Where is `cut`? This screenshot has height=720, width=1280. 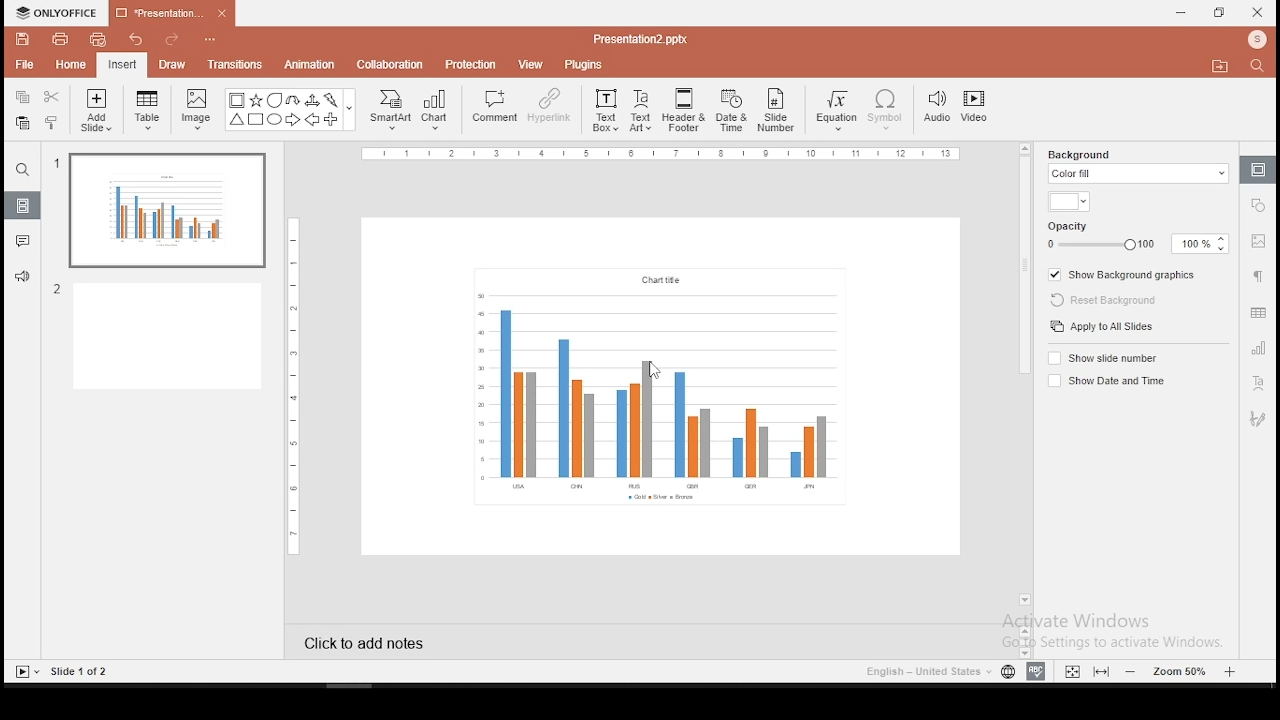 cut is located at coordinates (52, 97).